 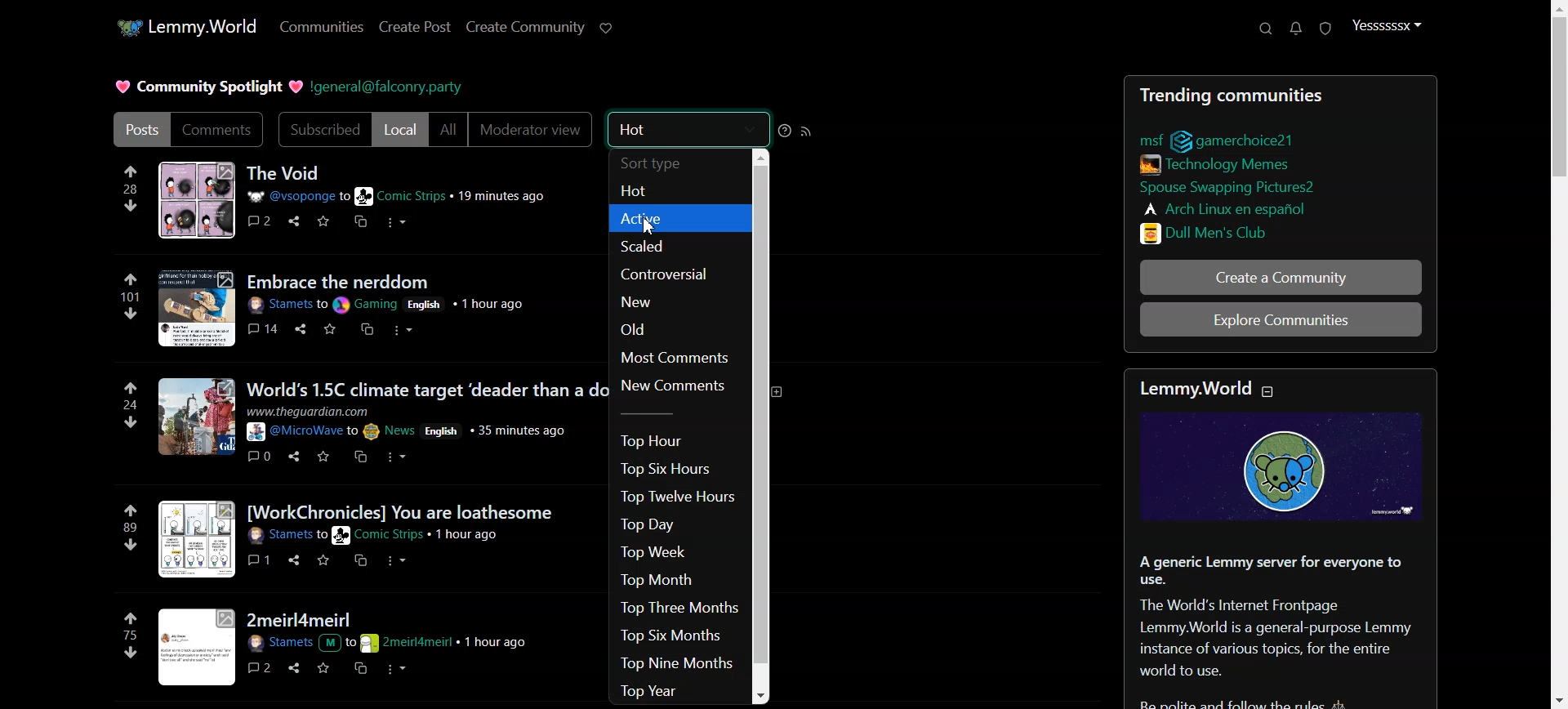 What do you see at coordinates (197, 647) in the screenshot?
I see `` at bounding box center [197, 647].